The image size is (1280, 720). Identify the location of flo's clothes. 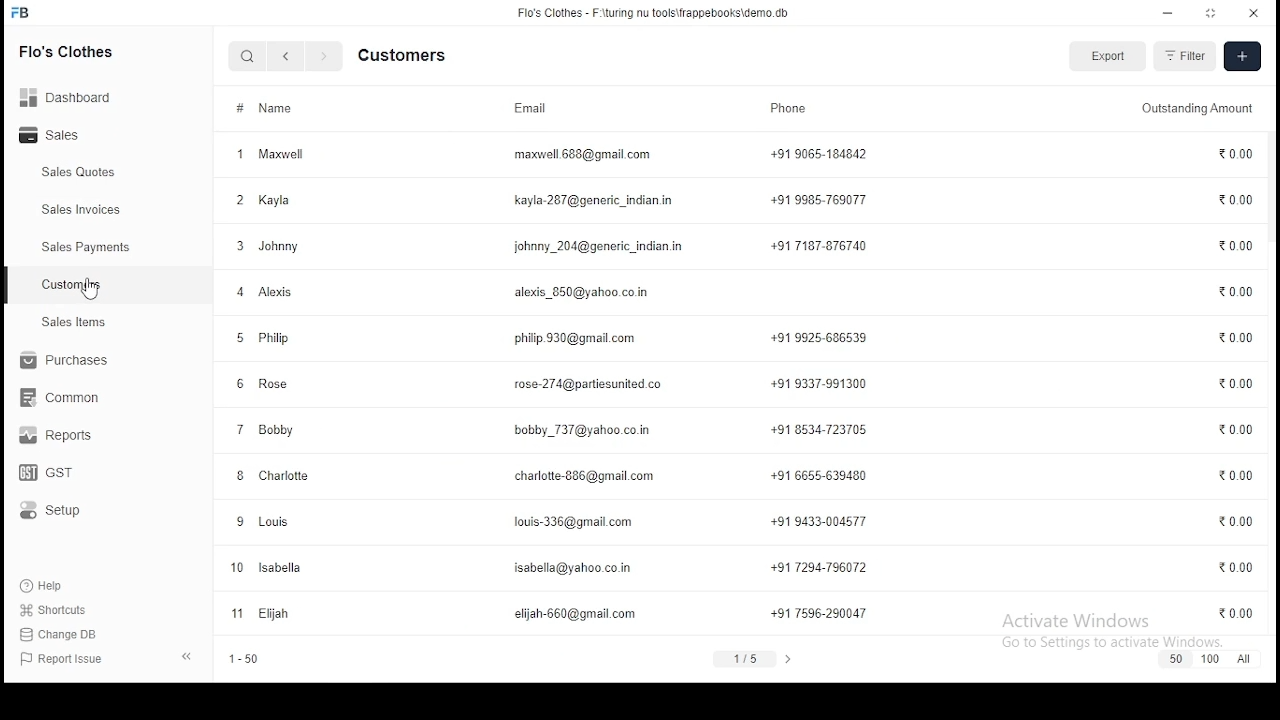
(67, 53).